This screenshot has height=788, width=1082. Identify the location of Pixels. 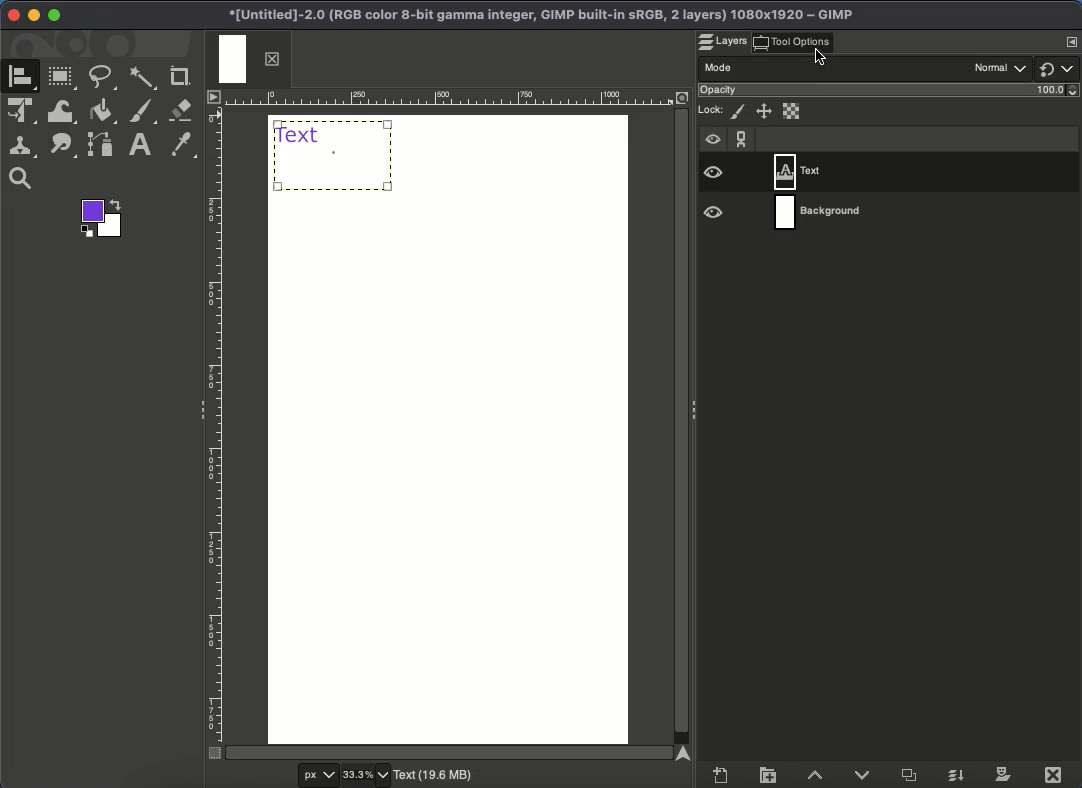
(738, 112).